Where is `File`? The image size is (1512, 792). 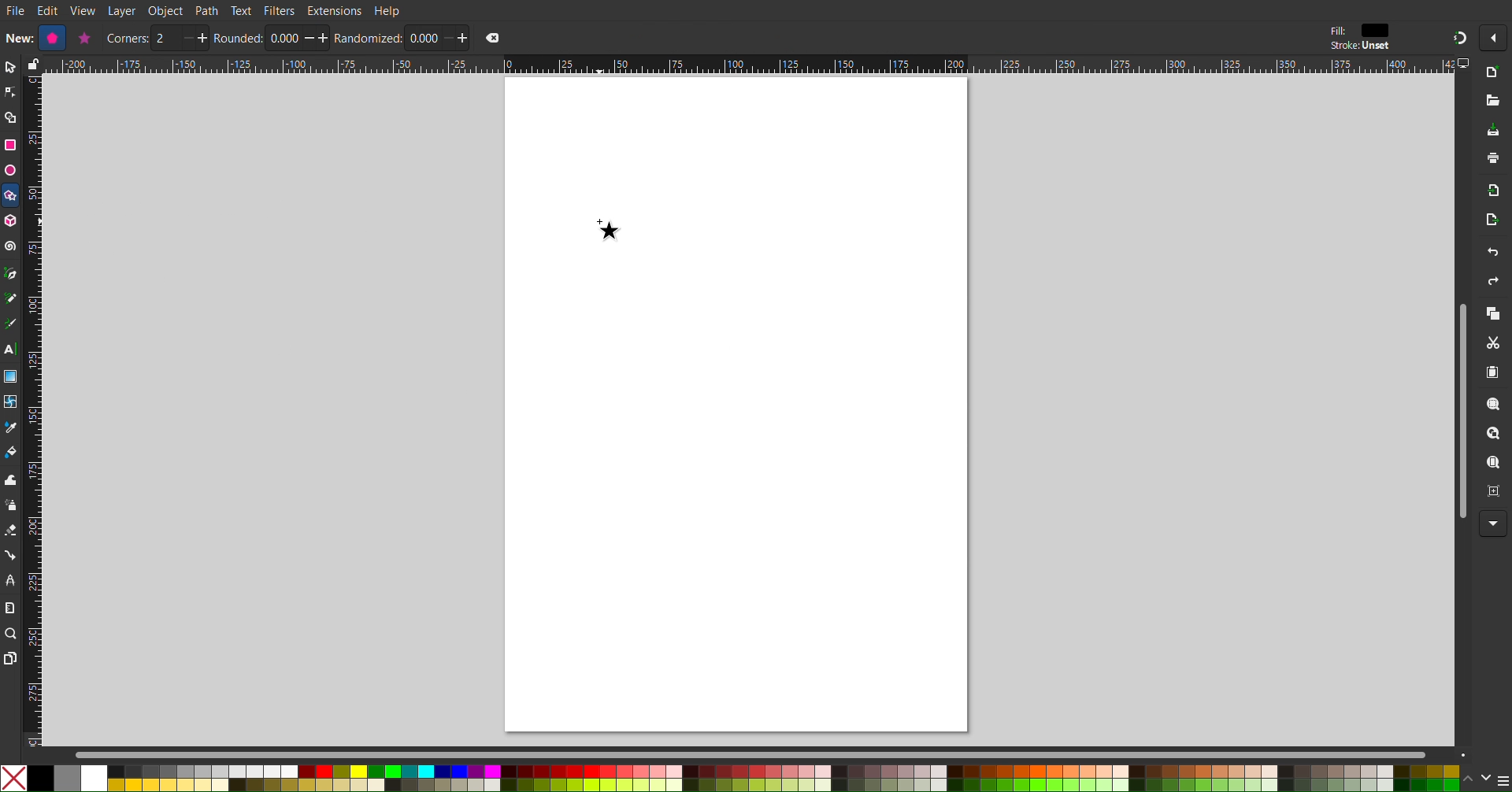 File is located at coordinates (15, 12).